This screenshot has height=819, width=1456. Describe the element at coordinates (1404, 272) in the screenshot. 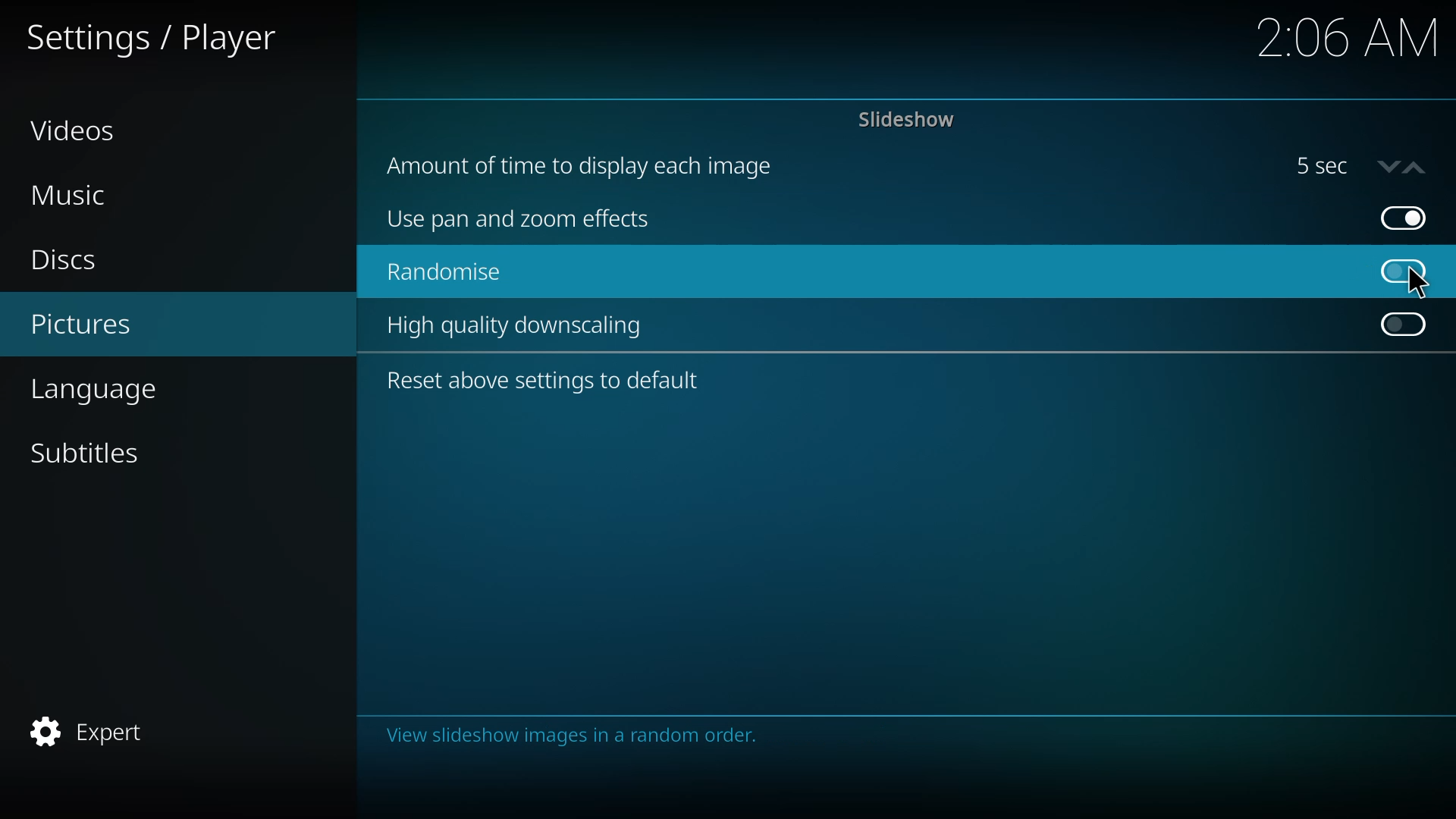

I see `click to enable` at that location.